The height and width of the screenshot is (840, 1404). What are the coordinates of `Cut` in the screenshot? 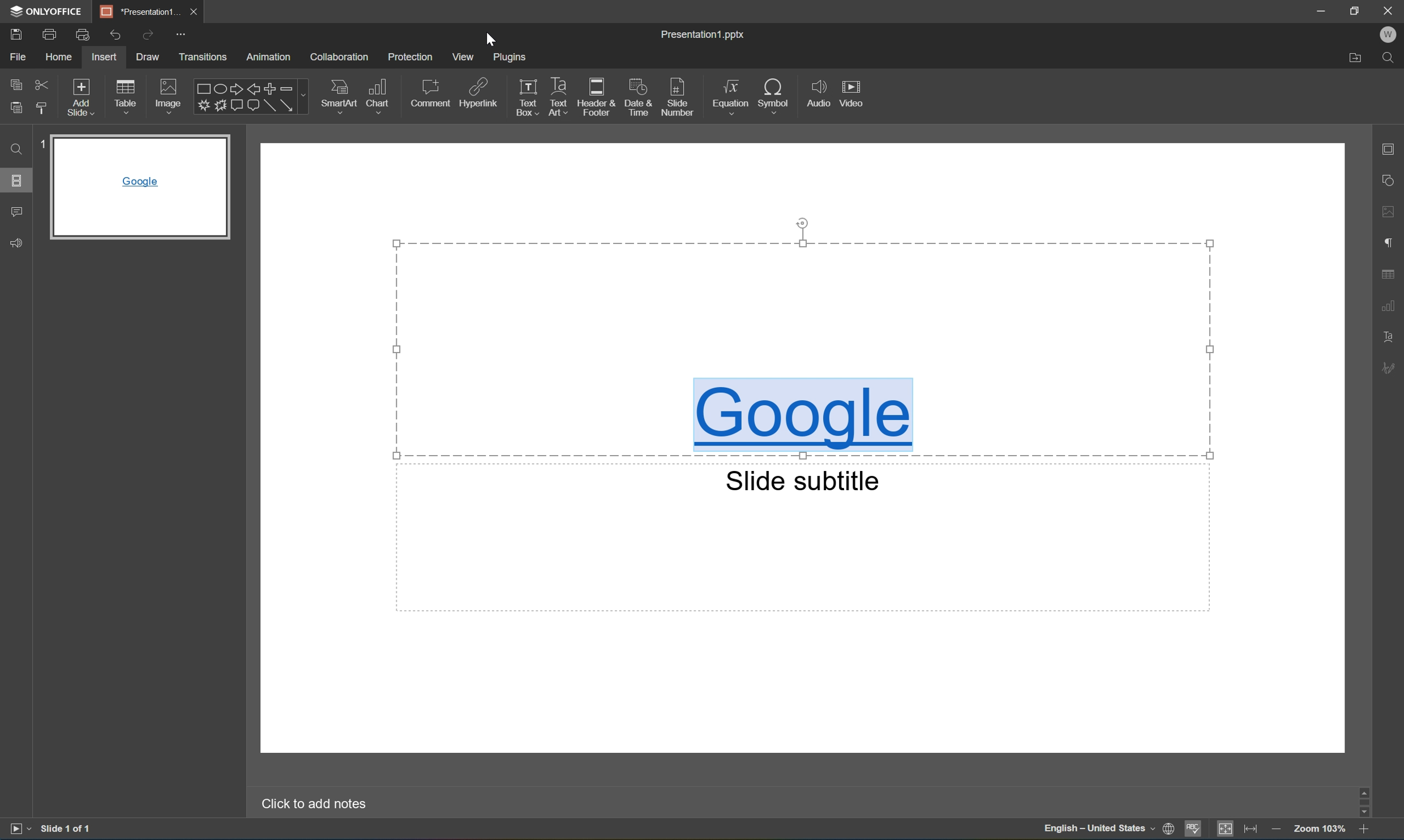 It's located at (45, 84).